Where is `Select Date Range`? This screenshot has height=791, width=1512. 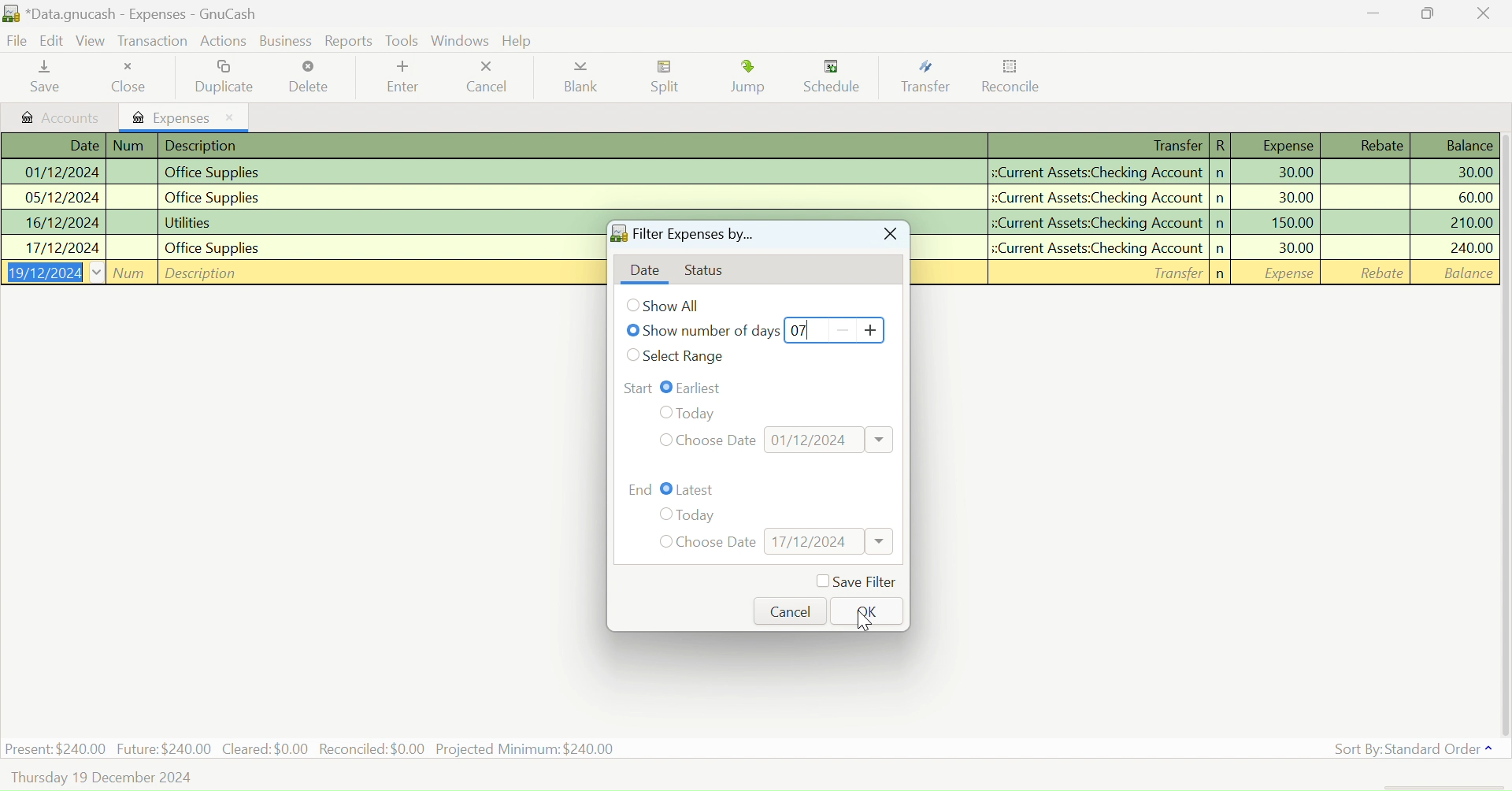 Select Date Range is located at coordinates (687, 357).